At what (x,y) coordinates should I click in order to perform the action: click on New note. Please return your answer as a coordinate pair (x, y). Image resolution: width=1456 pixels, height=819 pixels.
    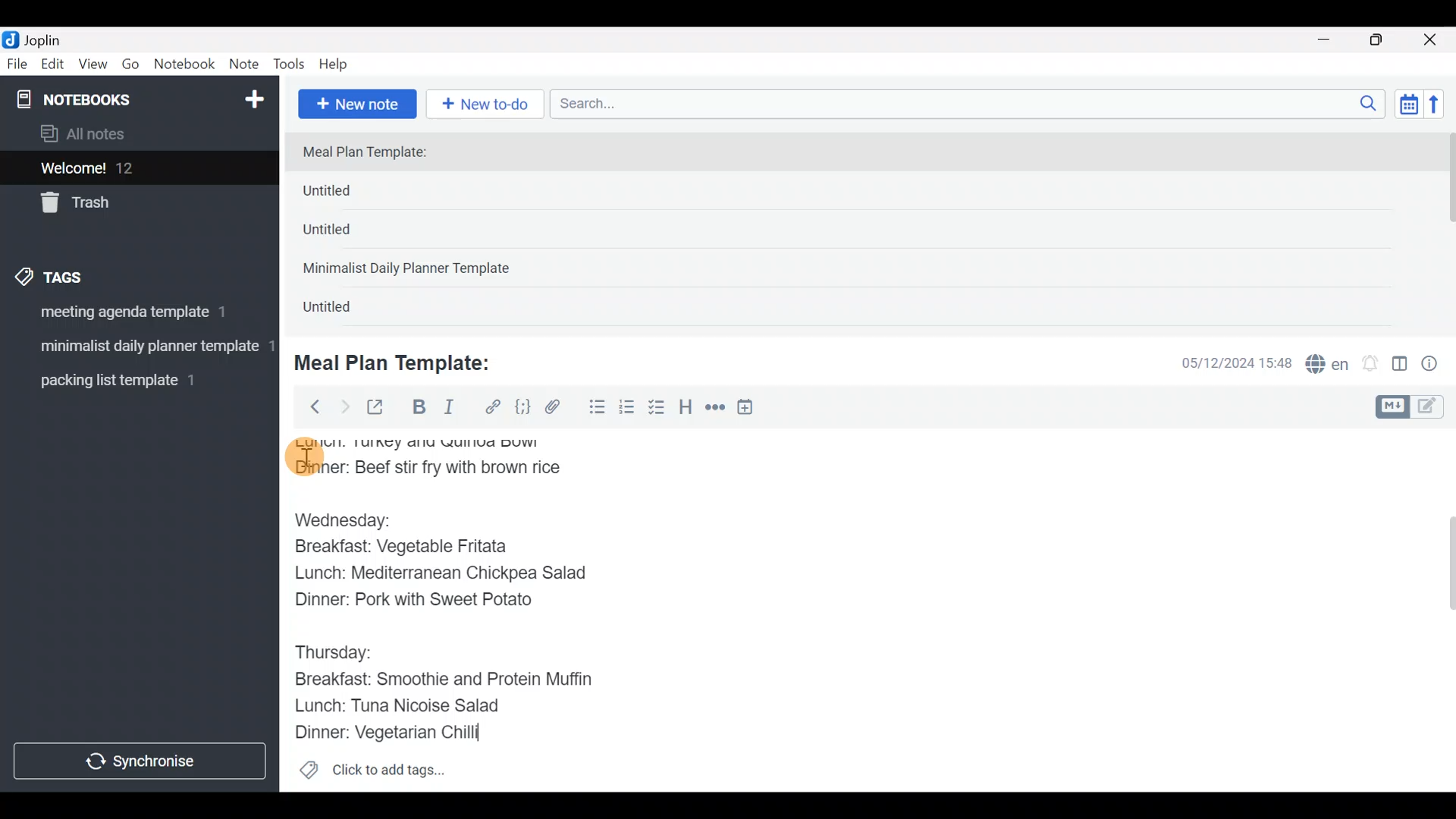
    Looking at the image, I should click on (356, 102).